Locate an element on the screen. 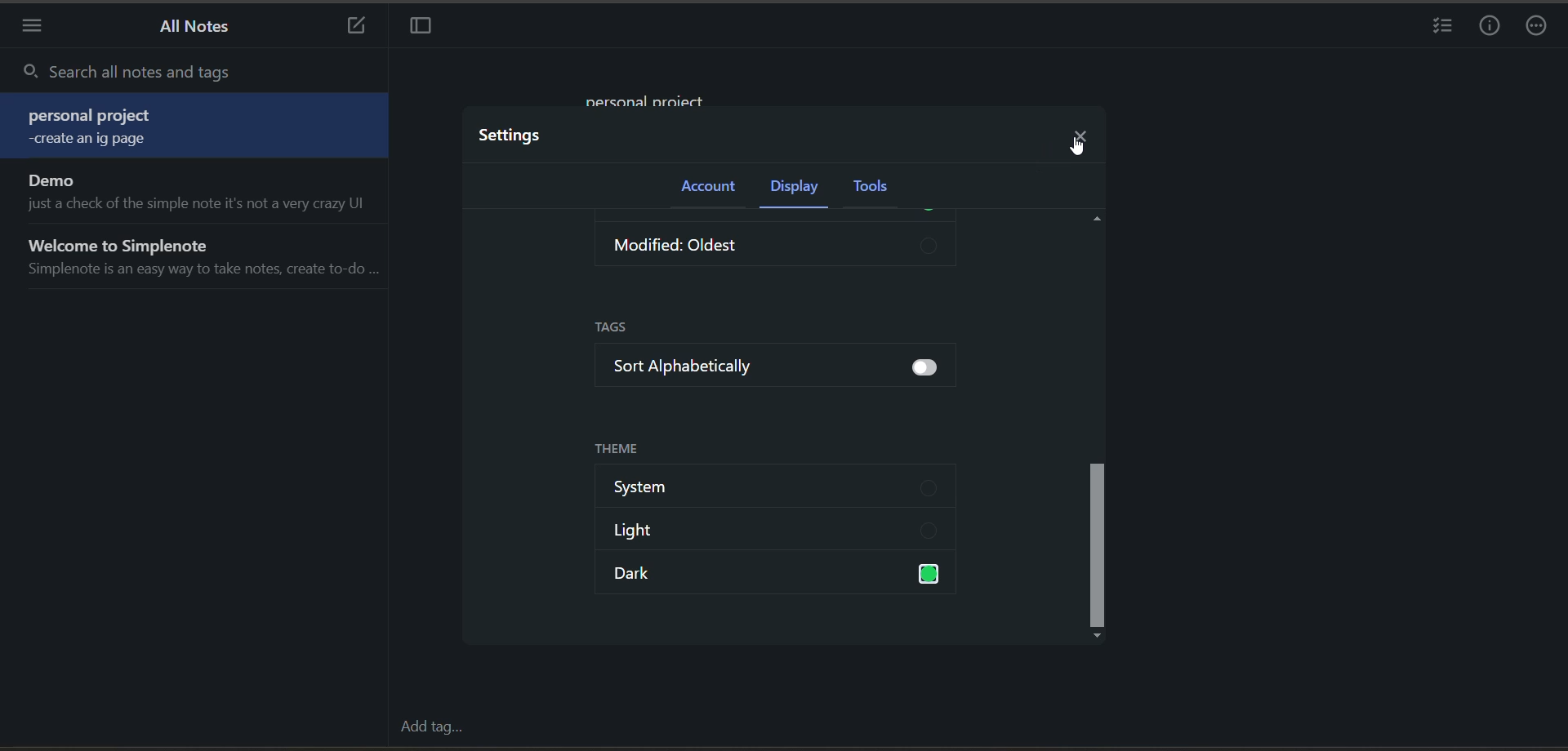 The width and height of the screenshot is (1568, 751). vertical scroll bar is located at coordinates (1097, 426).